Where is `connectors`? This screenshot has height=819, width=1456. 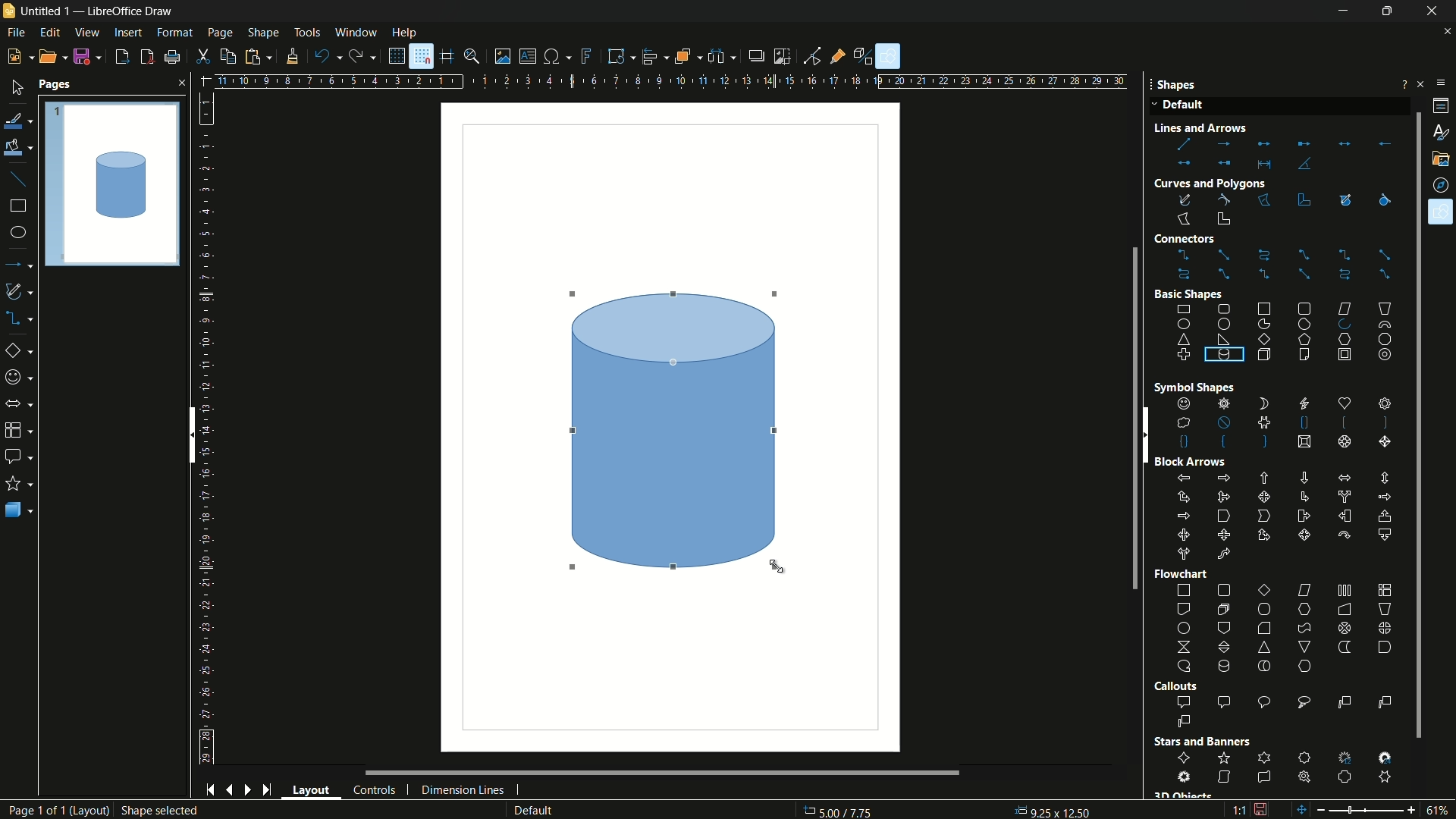
connectors is located at coordinates (1284, 265).